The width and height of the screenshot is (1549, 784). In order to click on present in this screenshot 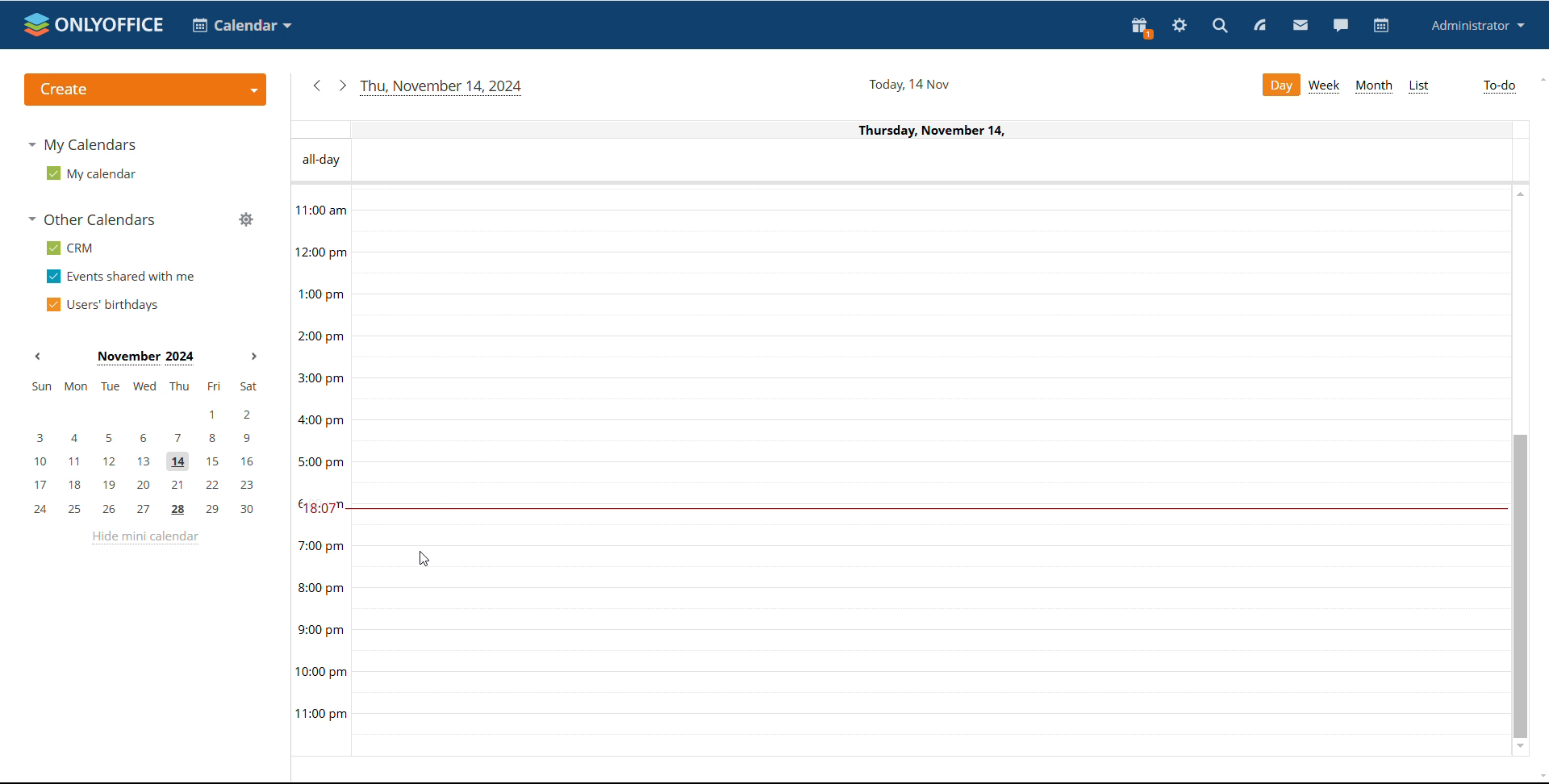, I will do `click(1142, 27)`.